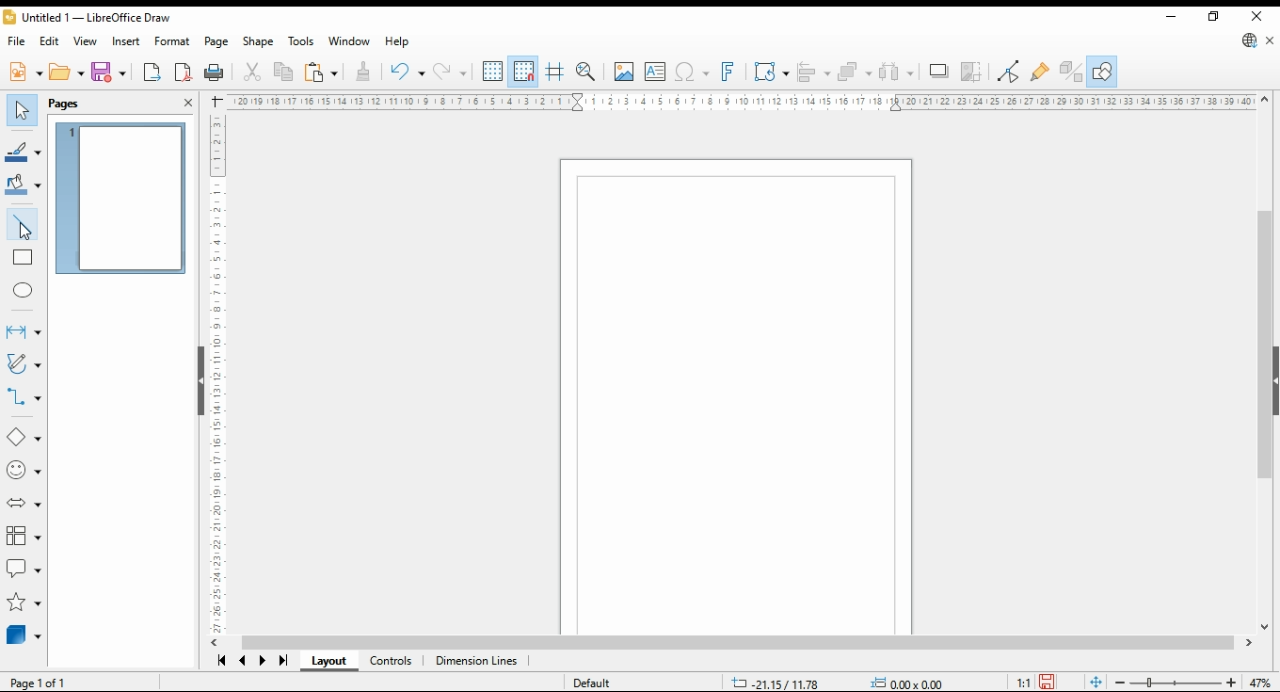  I want to click on fill color, so click(22, 183).